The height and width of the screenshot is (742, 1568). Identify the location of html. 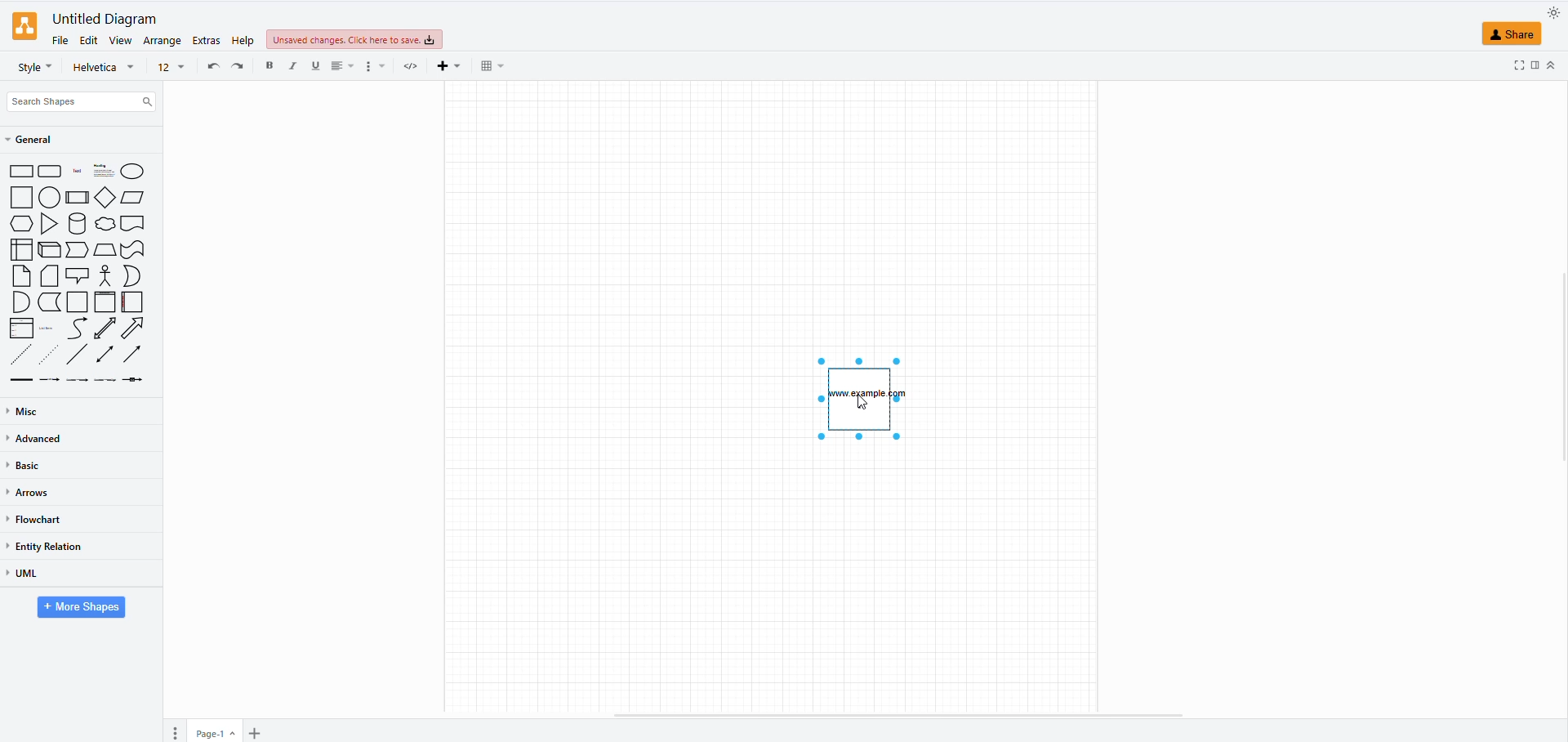
(413, 65).